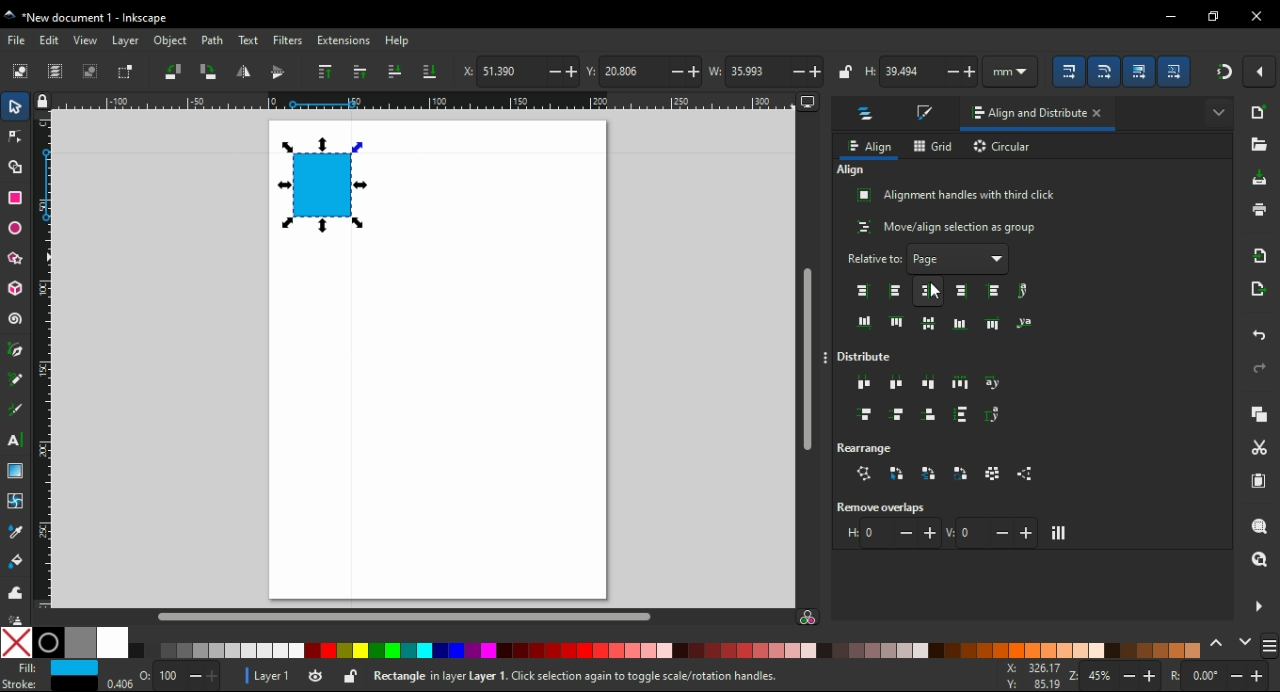  I want to click on text tool, so click(18, 440).